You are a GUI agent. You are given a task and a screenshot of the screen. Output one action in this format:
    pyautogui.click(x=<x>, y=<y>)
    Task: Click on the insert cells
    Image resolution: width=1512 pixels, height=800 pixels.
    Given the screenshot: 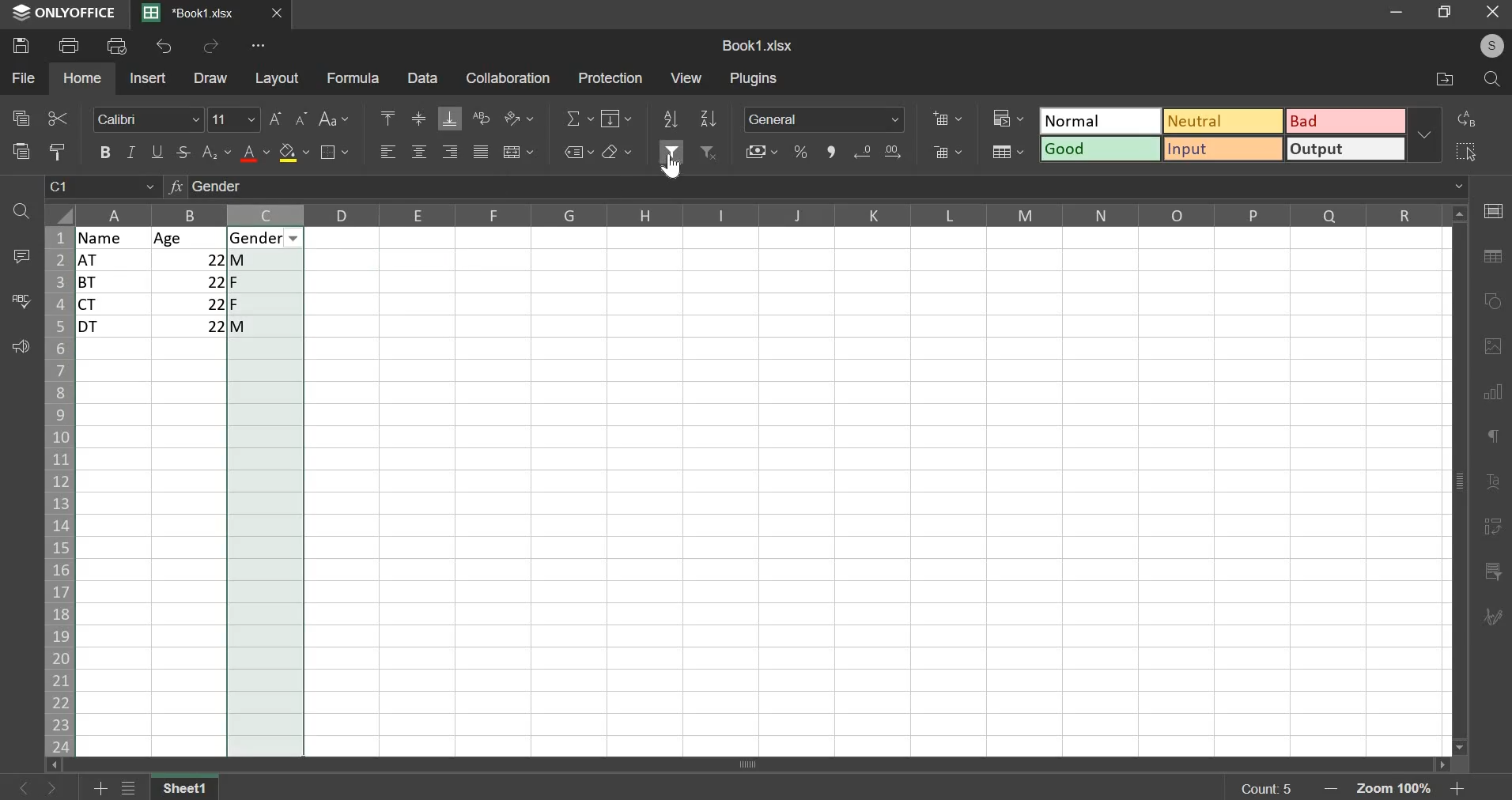 What is the action you would take?
    pyautogui.click(x=947, y=119)
    